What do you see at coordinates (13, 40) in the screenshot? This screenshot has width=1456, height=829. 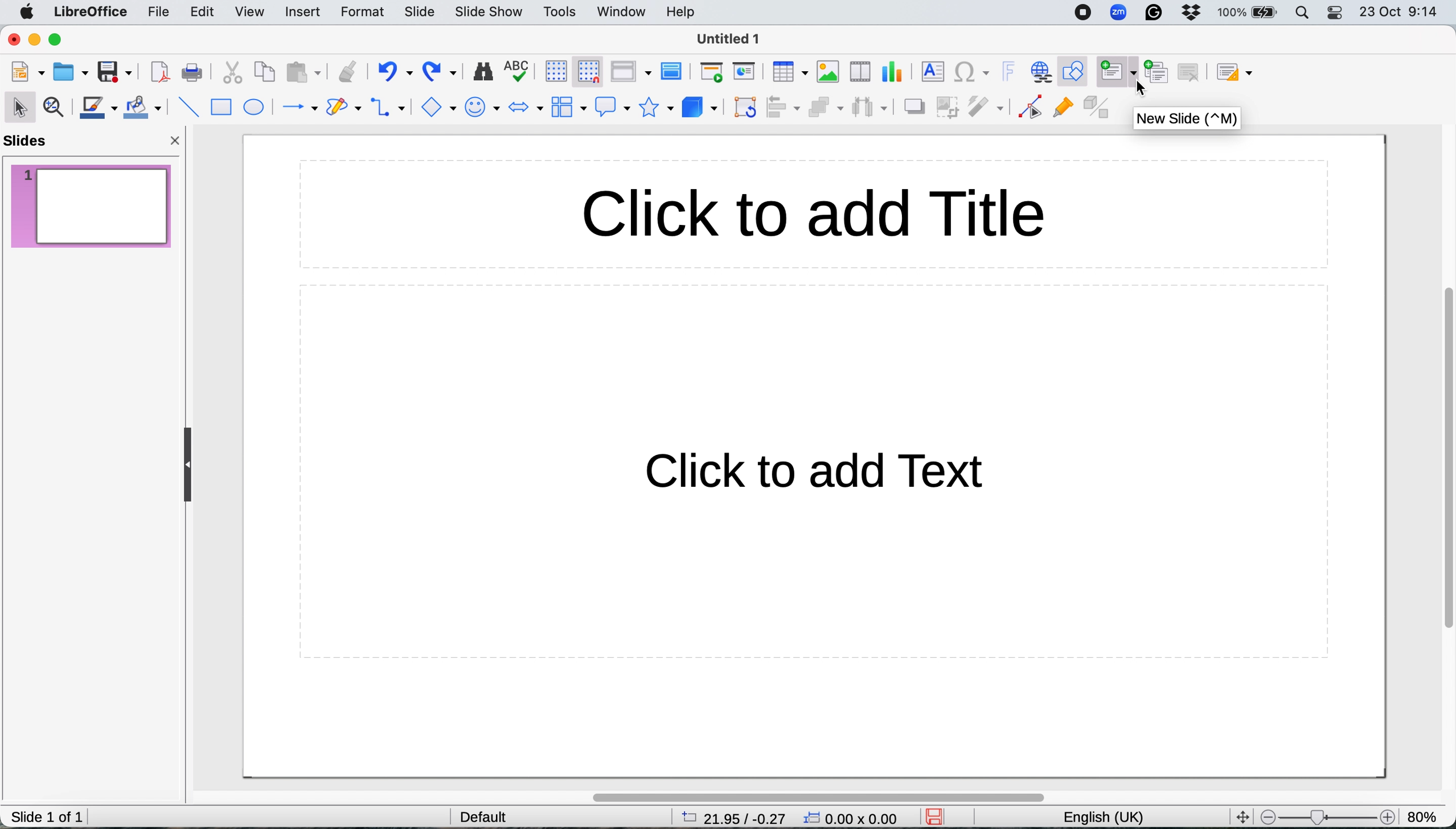 I see `close` at bounding box center [13, 40].